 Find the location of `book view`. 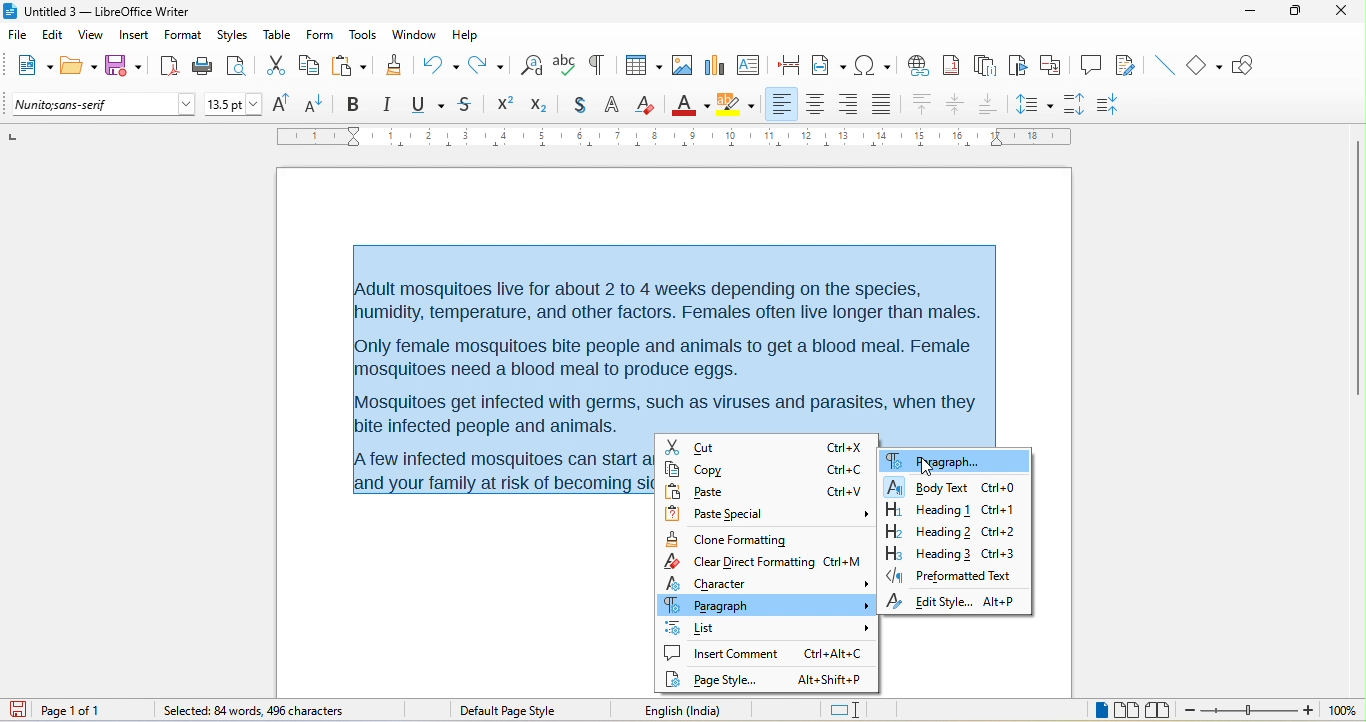

book view is located at coordinates (1162, 710).